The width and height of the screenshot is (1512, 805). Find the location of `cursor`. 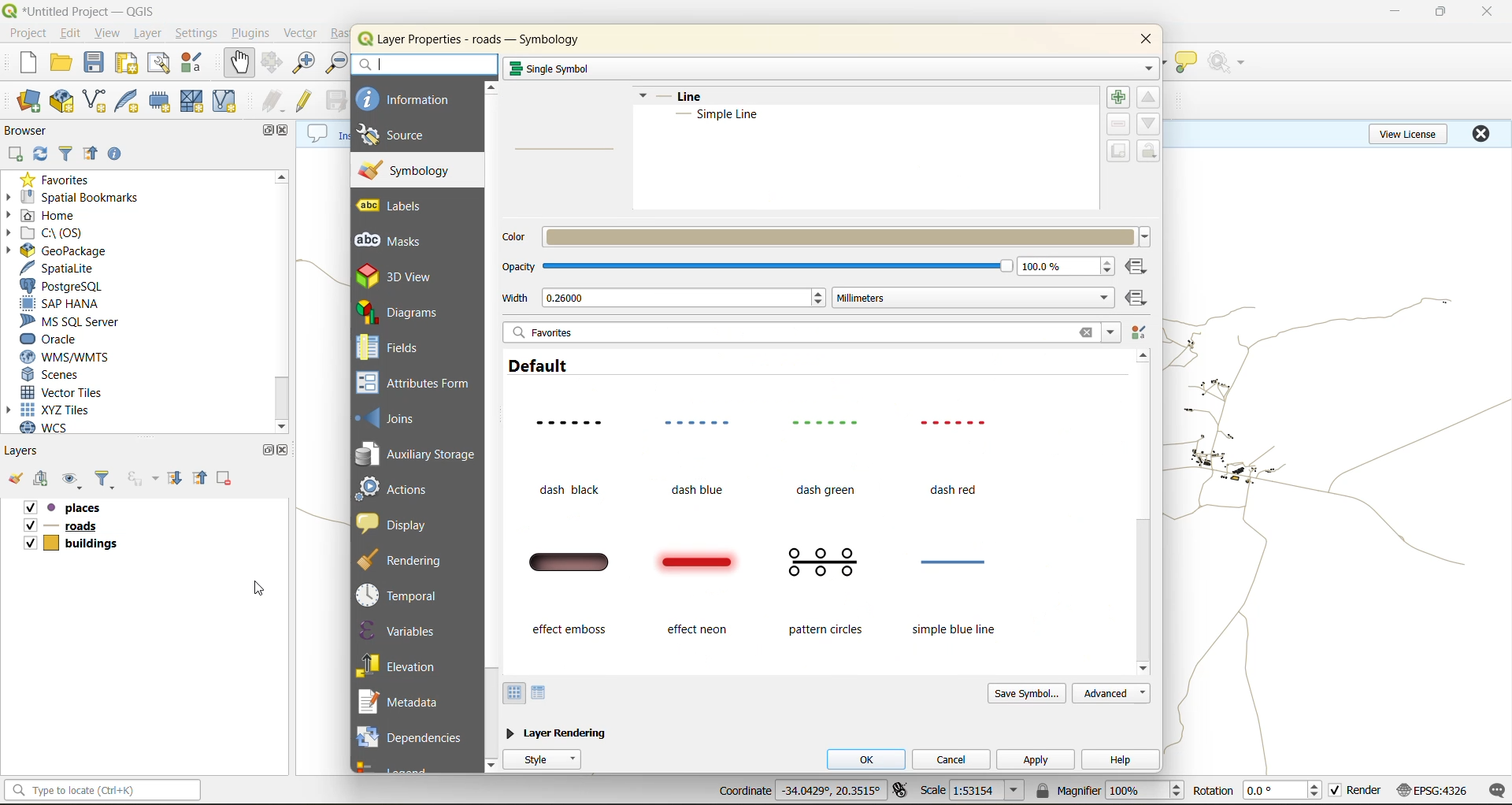

cursor is located at coordinates (253, 588).